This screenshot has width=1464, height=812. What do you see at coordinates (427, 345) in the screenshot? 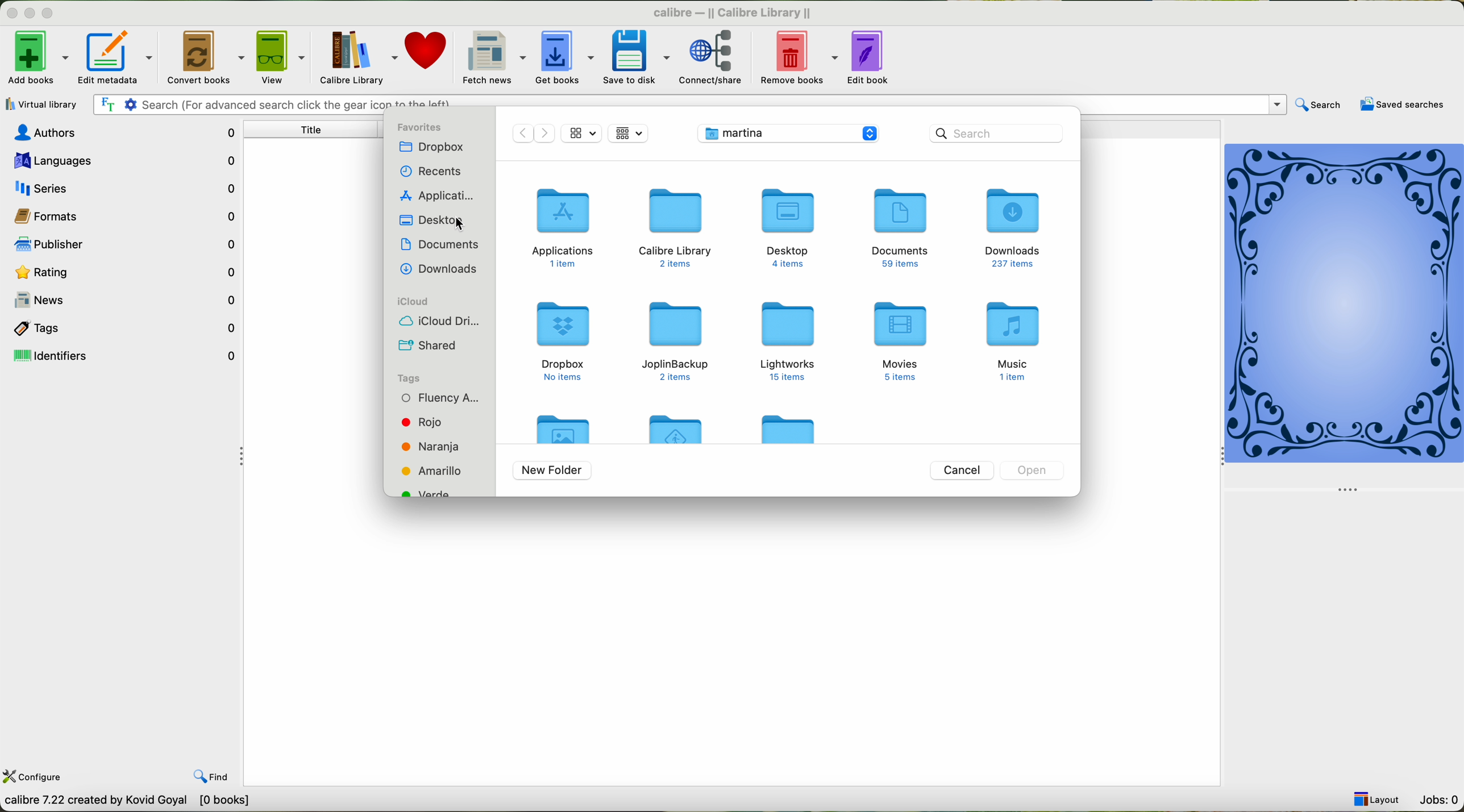
I see `shared` at bounding box center [427, 345].